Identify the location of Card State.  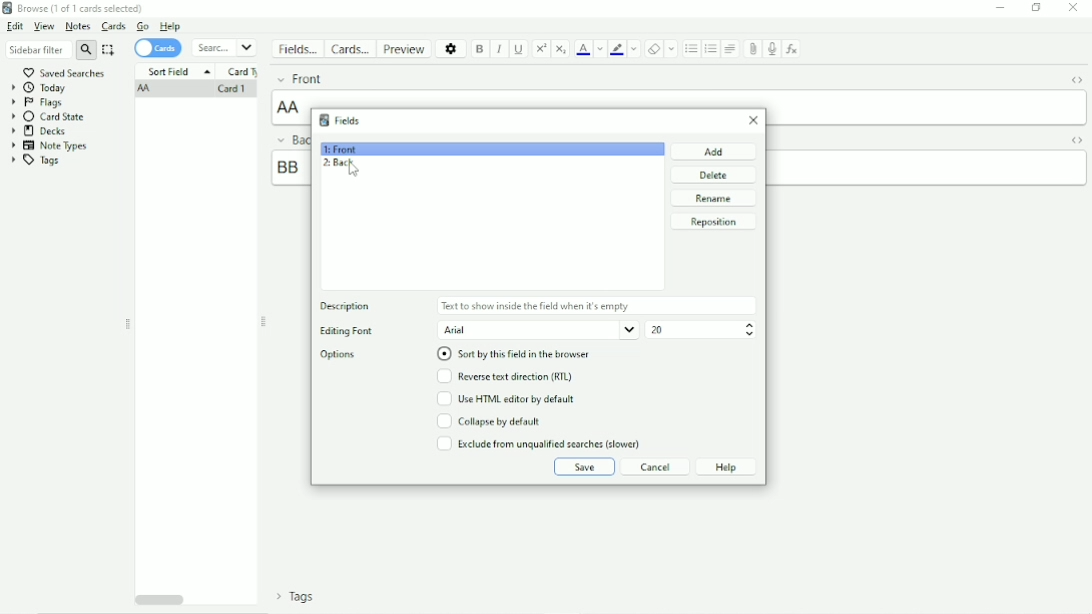
(51, 117).